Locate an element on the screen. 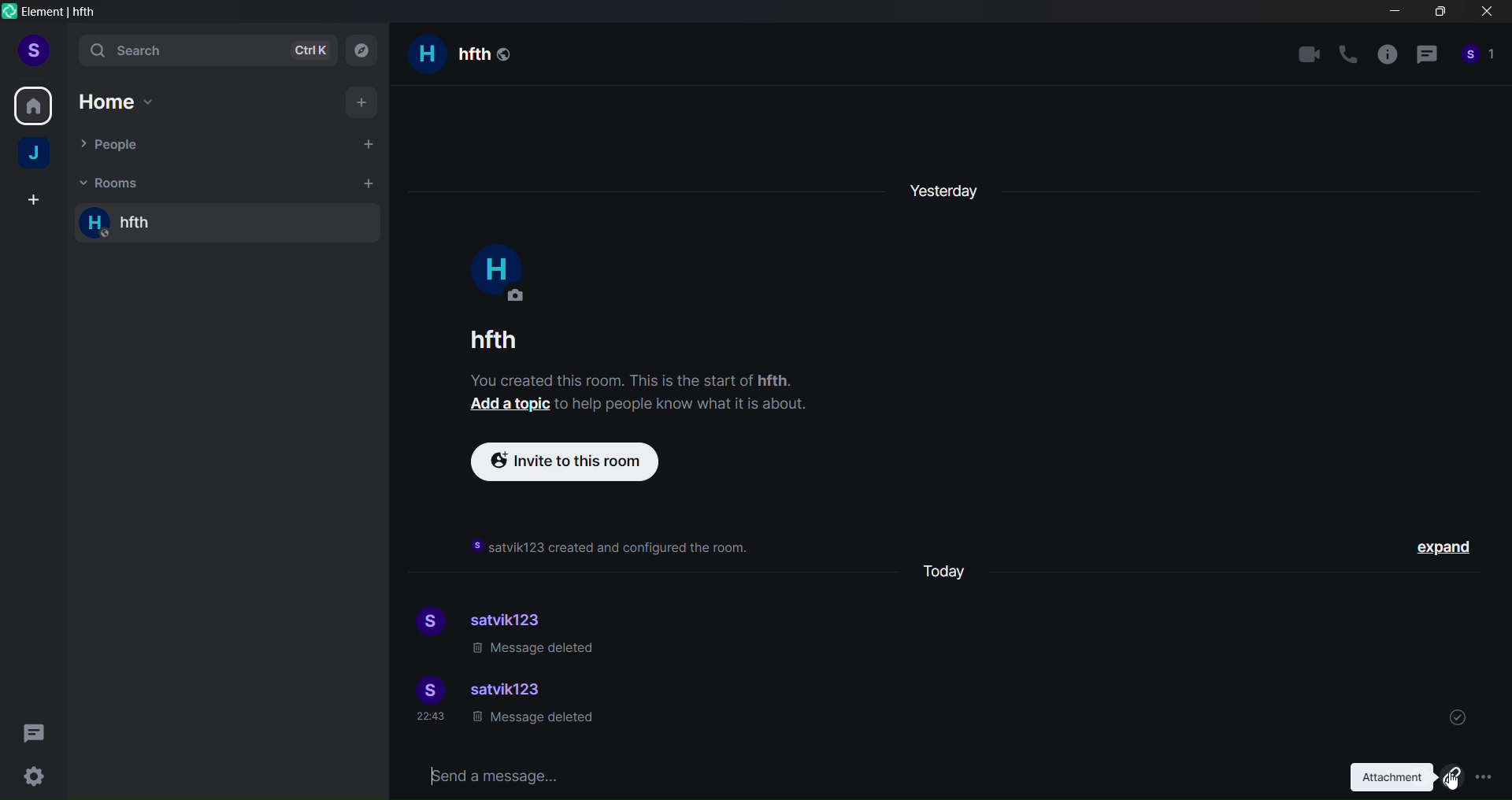 Image resolution: width=1512 pixels, height=800 pixels. instruction is located at coordinates (613, 548).